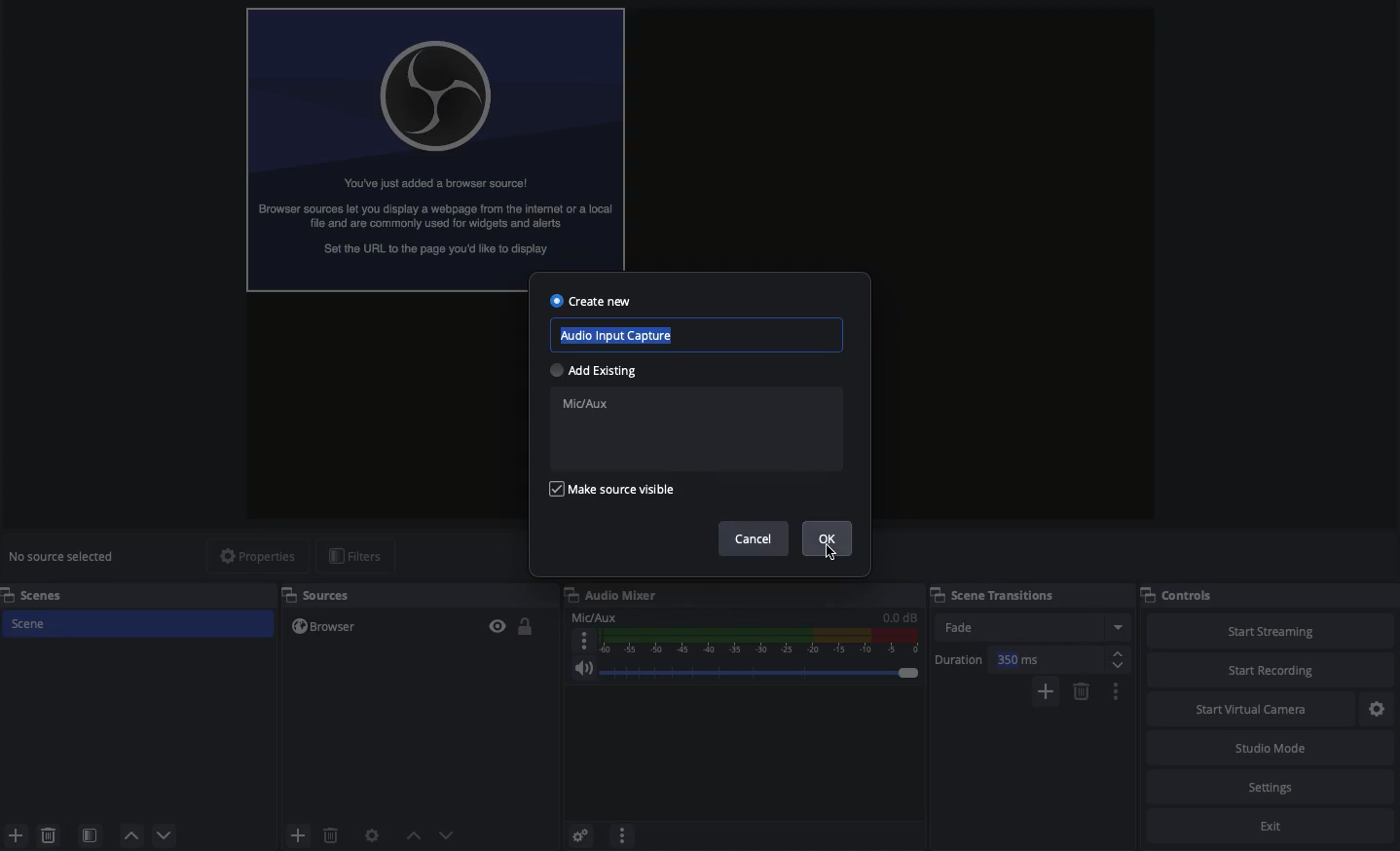 Image resolution: width=1400 pixels, height=851 pixels. Describe the element at coordinates (301, 834) in the screenshot. I see `Click add source` at that location.